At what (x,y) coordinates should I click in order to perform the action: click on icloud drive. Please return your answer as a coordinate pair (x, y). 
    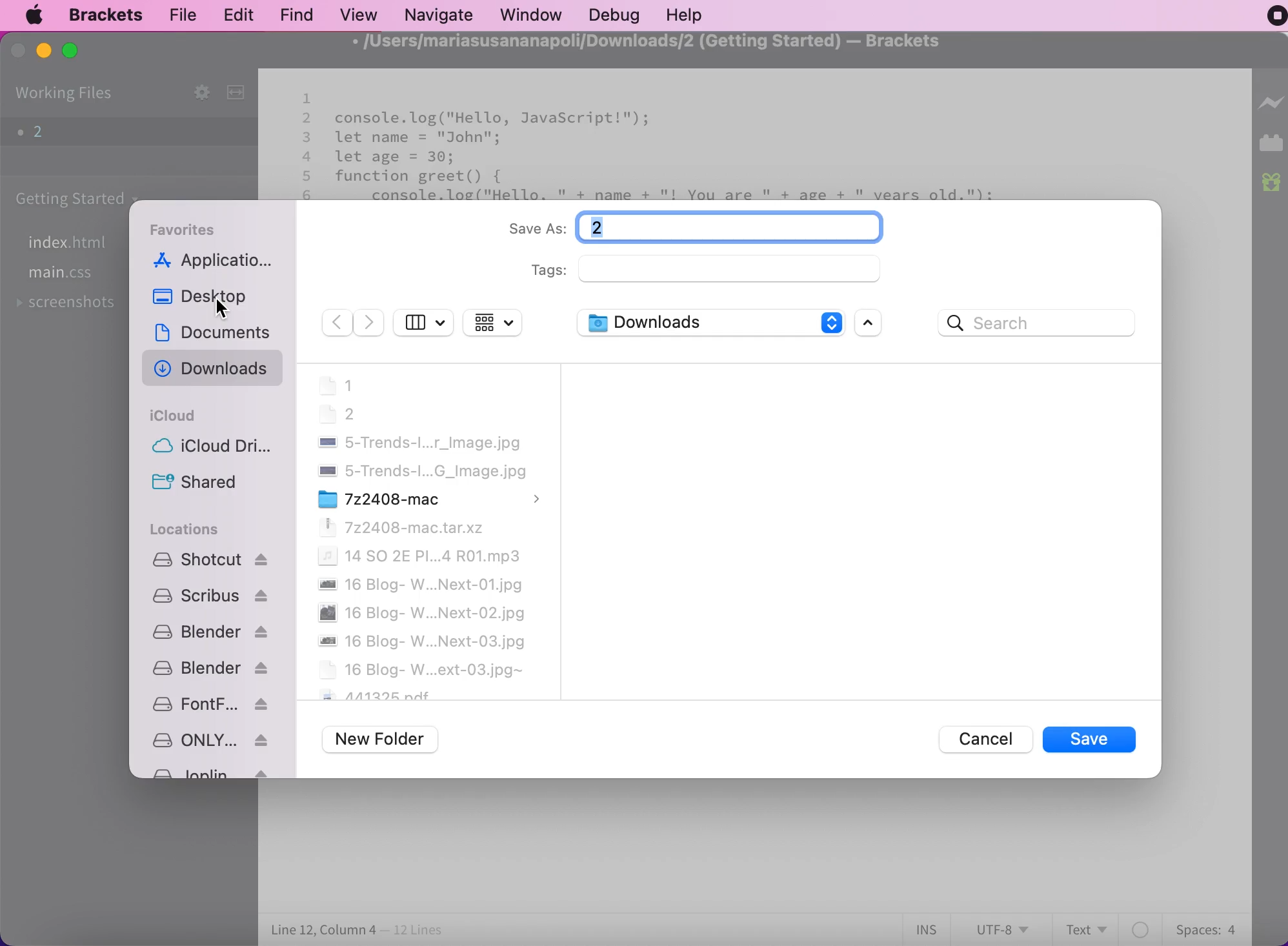
    Looking at the image, I should click on (209, 447).